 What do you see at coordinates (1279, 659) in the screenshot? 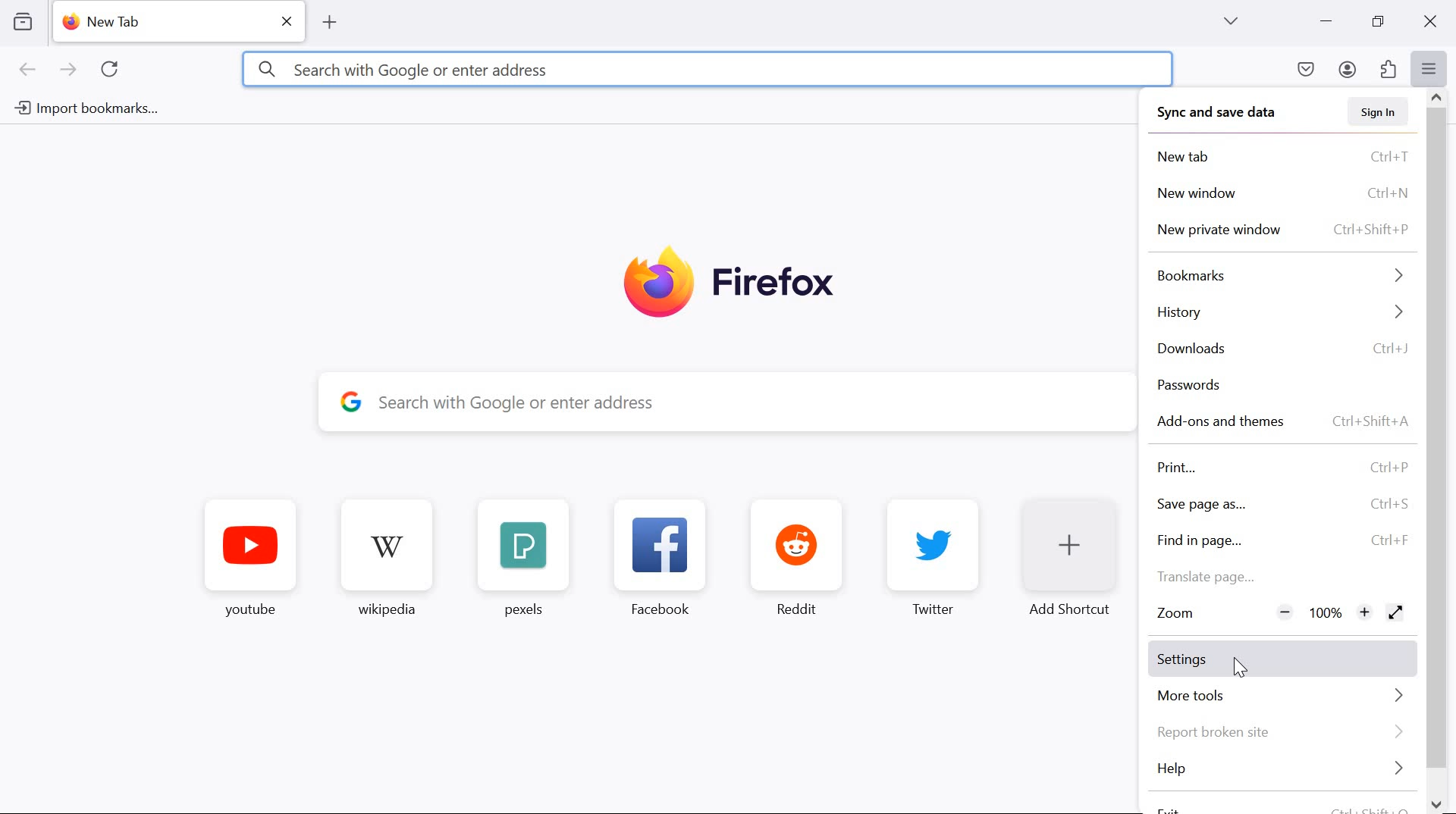
I see `settings` at bounding box center [1279, 659].